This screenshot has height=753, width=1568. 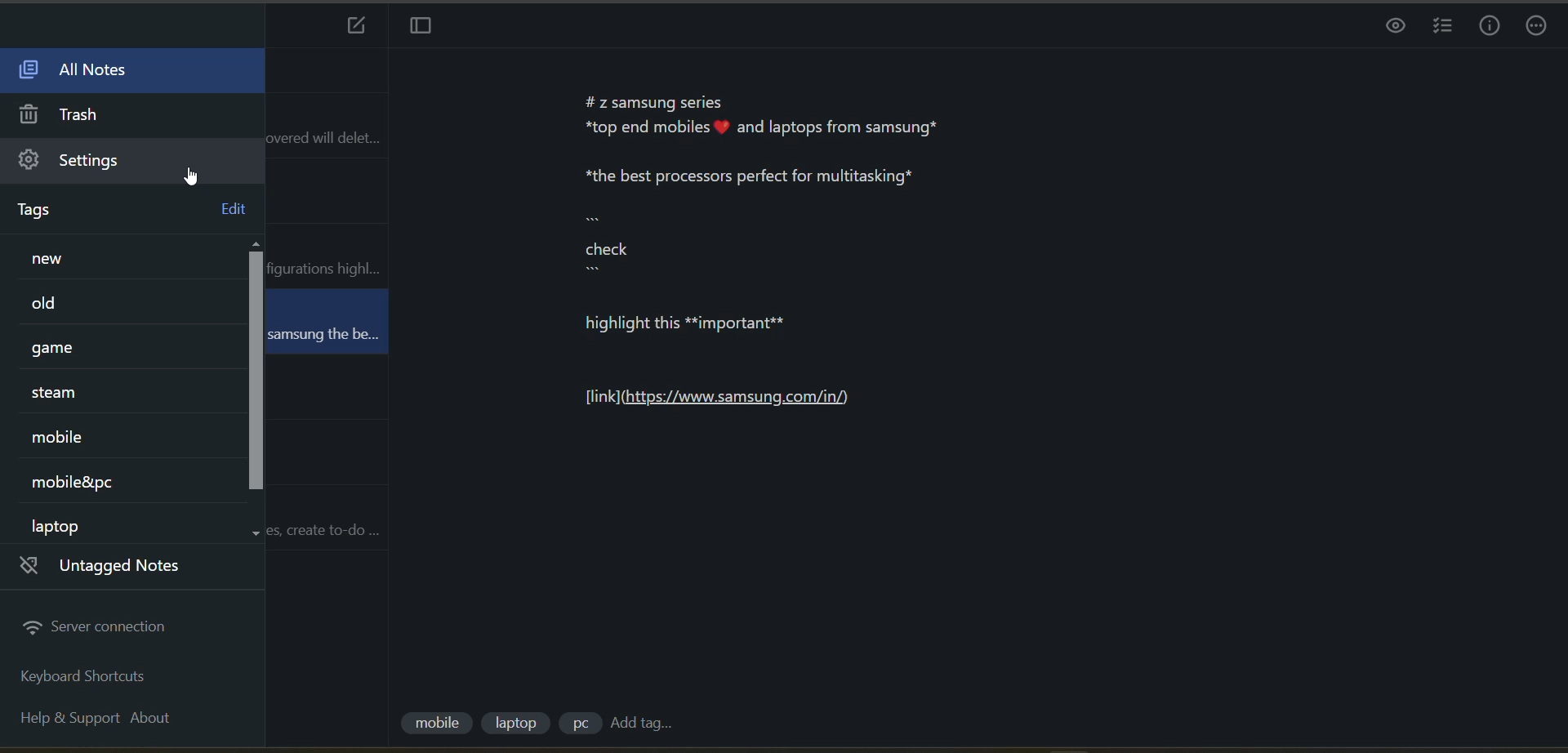 What do you see at coordinates (422, 26) in the screenshot?
I see `toggle focus mode` at bounding box center [422, 26].